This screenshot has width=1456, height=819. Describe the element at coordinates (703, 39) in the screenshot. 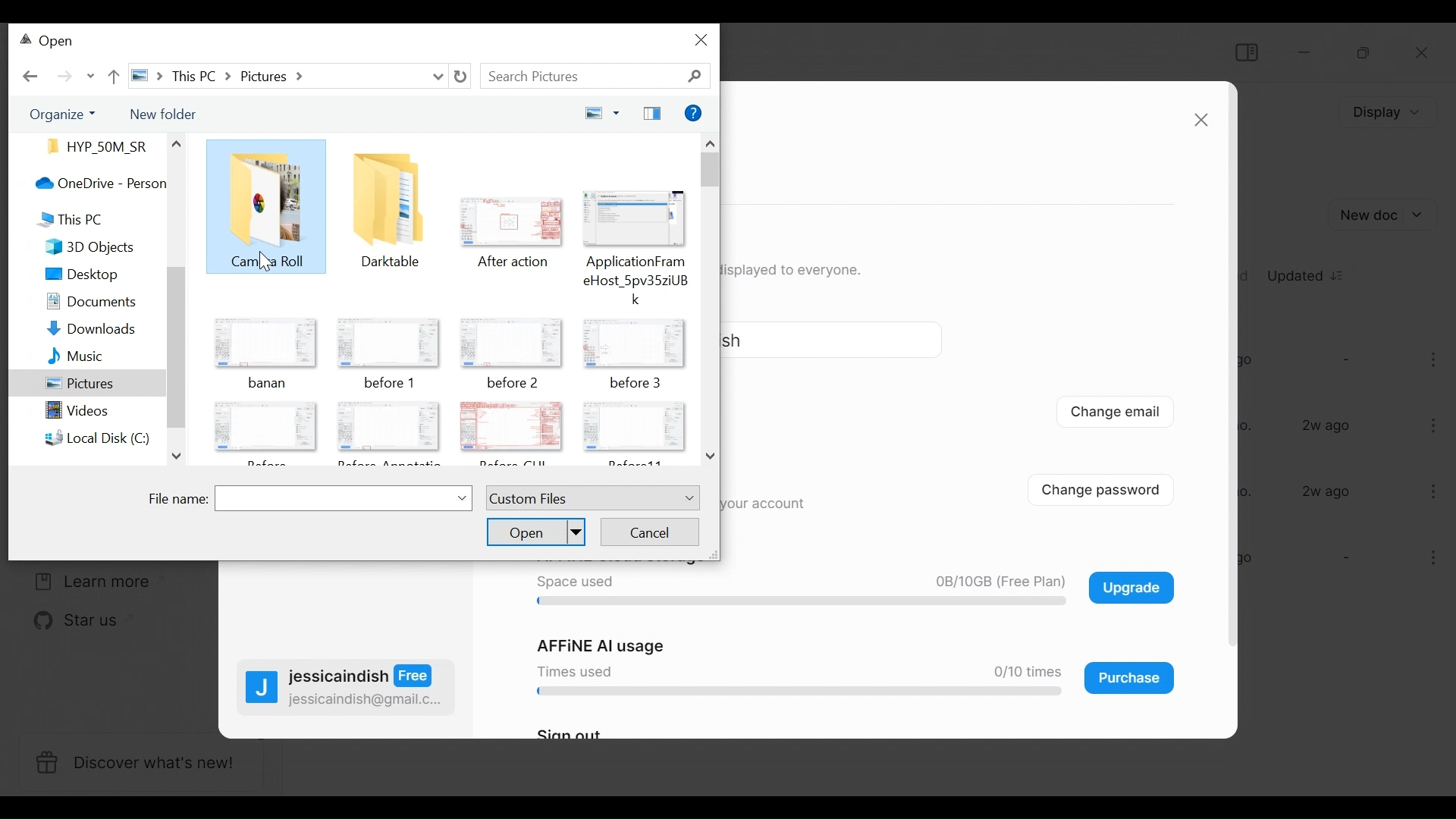

I see `close` at that location.